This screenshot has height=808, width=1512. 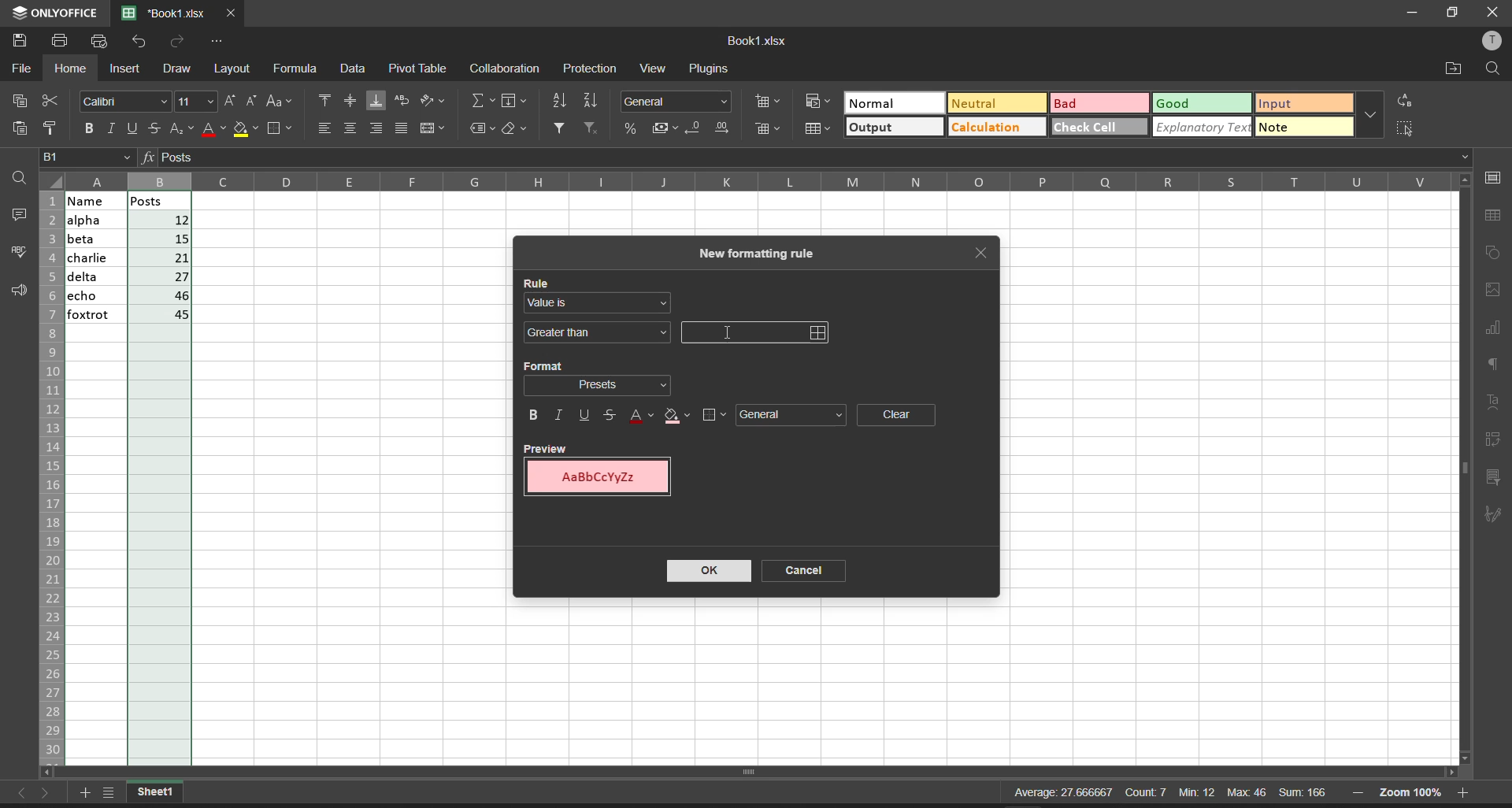 I want to click on input field for the value, so click(x=757, y=332).